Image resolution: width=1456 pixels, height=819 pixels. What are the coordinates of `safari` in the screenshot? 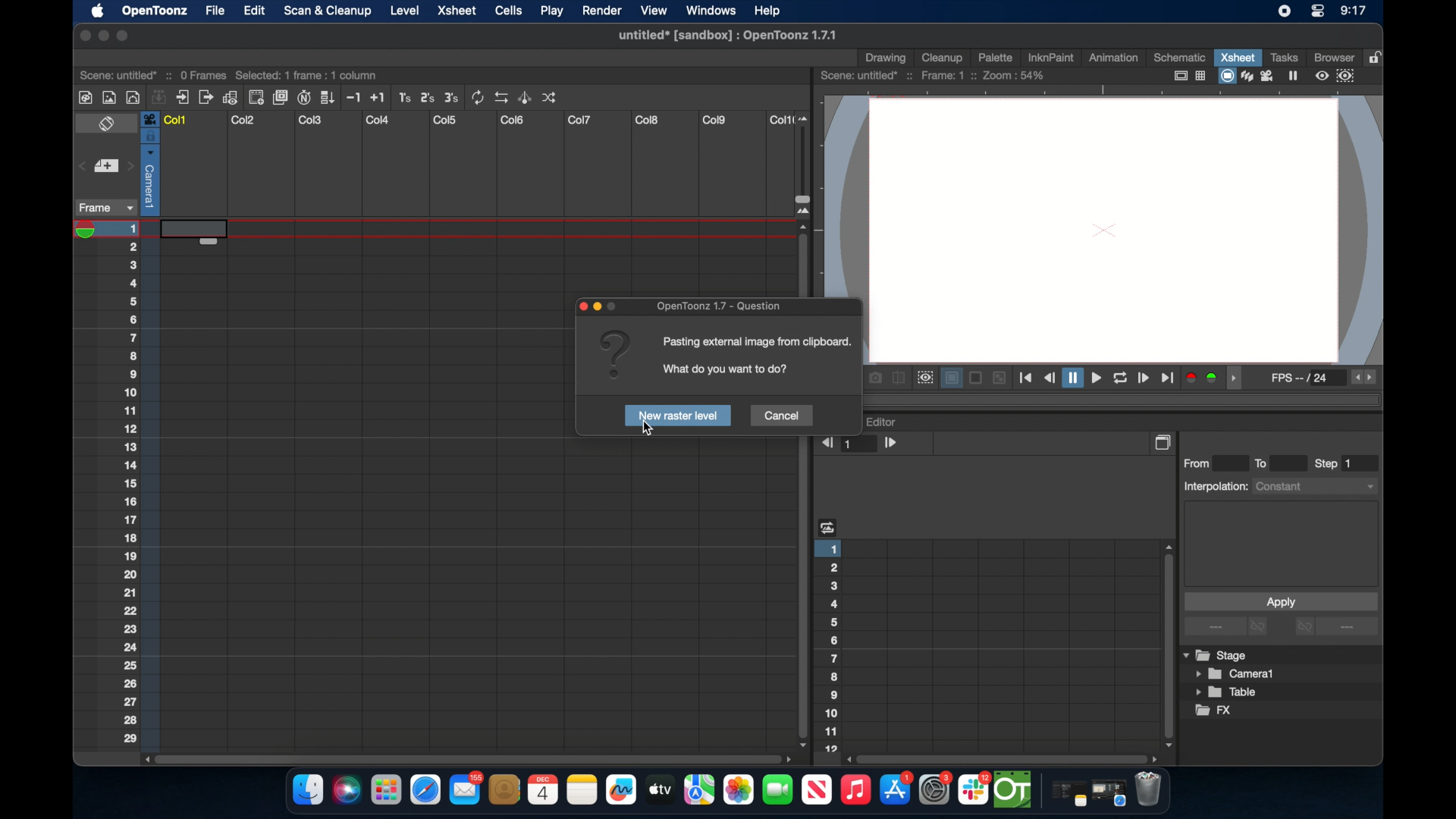 It's located at (1109, 793).